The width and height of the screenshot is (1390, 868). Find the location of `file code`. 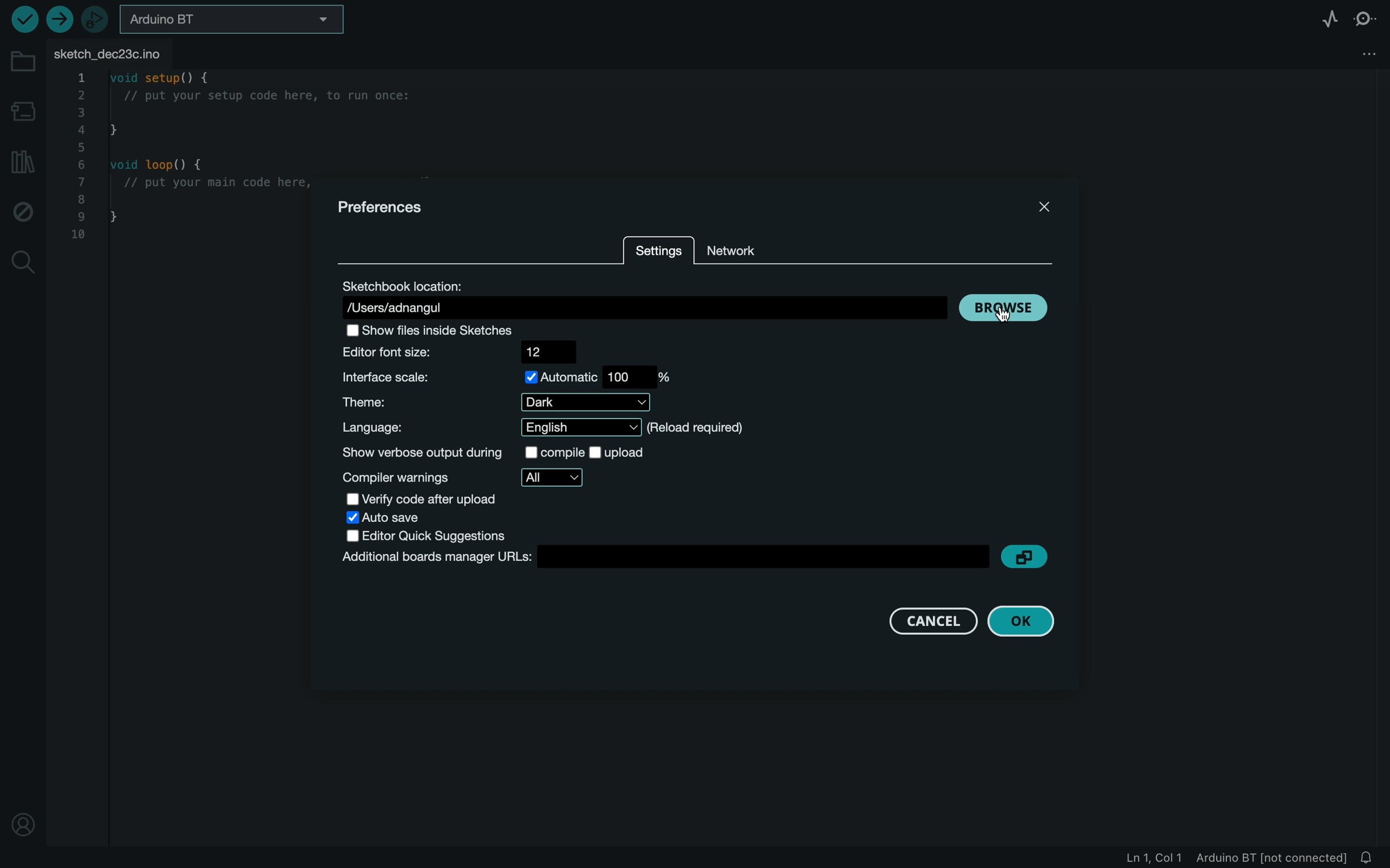

file code is located at coordinates (190, 231).